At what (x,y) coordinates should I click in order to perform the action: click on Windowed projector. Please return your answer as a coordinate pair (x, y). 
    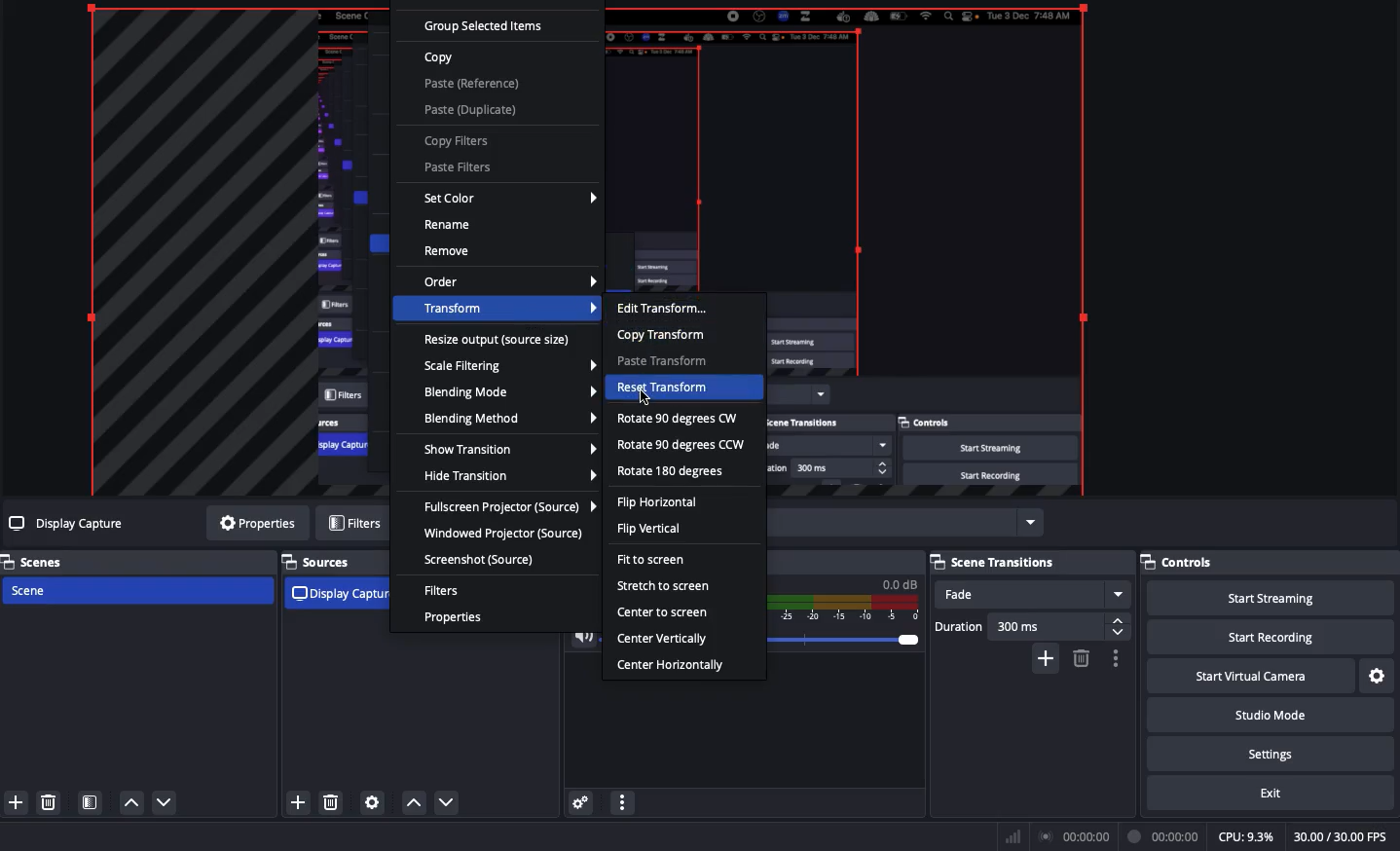
    Looking at the image, I should click on (507, 533).